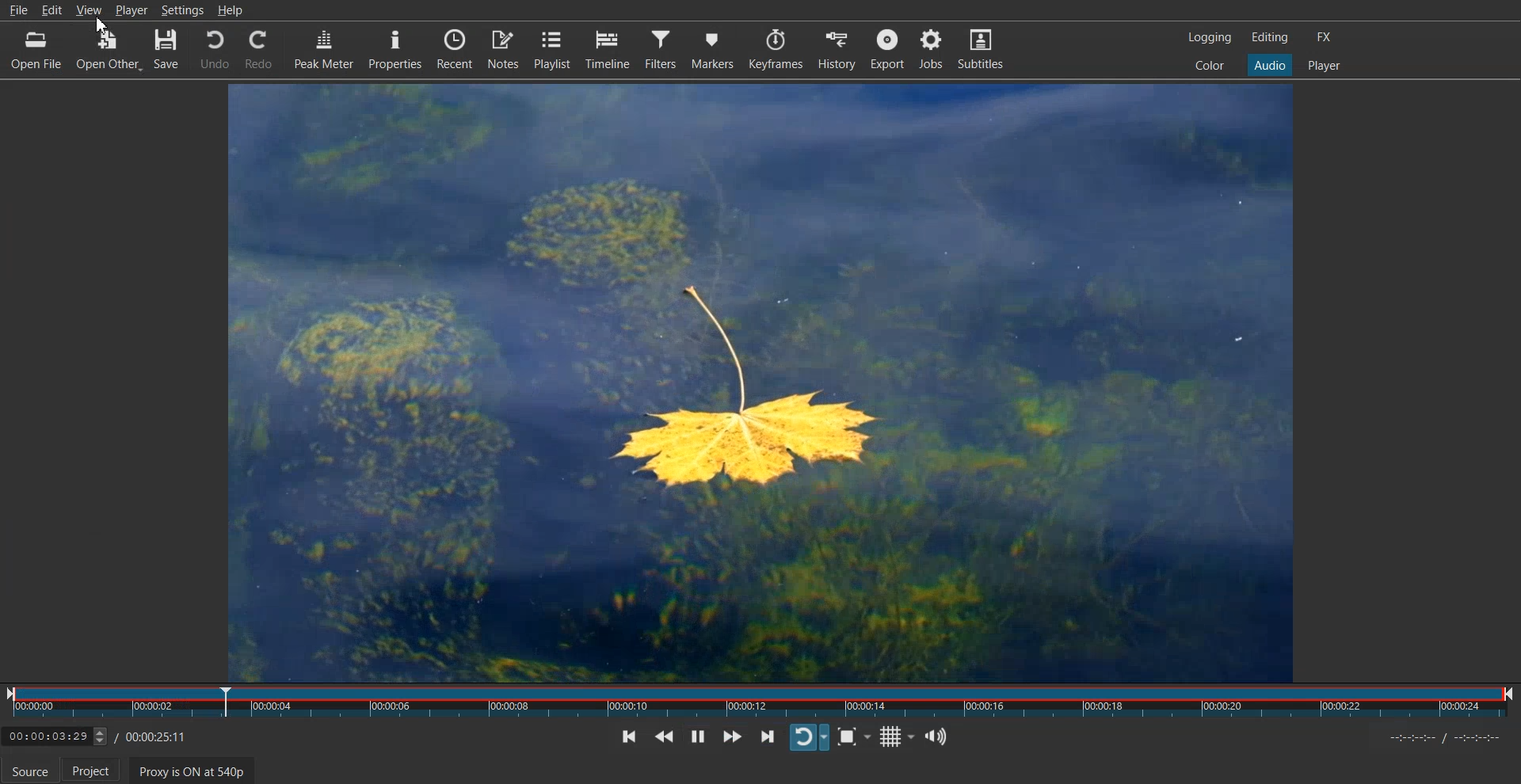  Describe the element at coordinates (166, 51) in the screenshot. I see `Save` at that location.